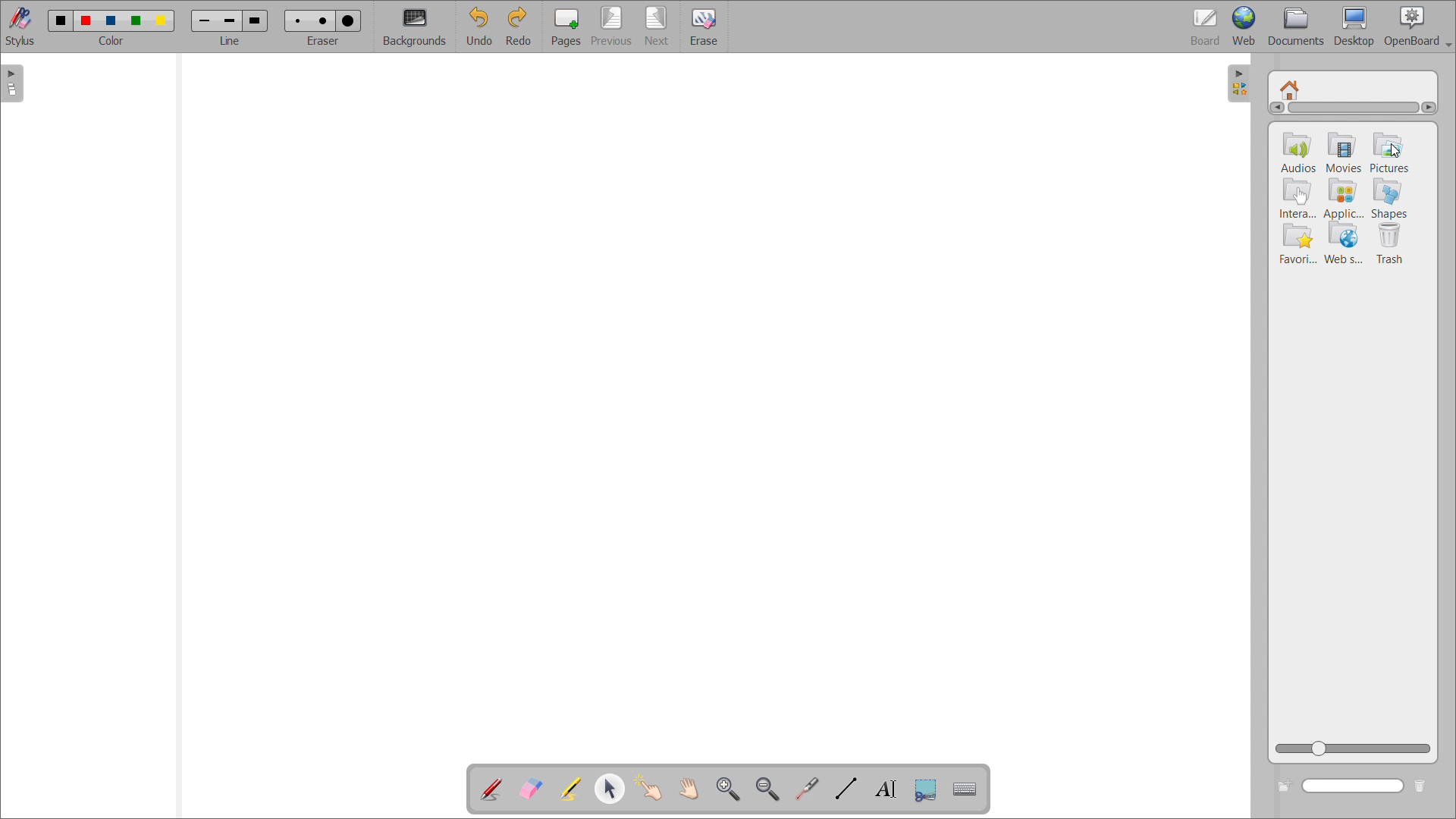  What do you see at coordinates (806, 788) in the screenshot?
I see `virtual laser pointer` at bounding box center [806, 788].